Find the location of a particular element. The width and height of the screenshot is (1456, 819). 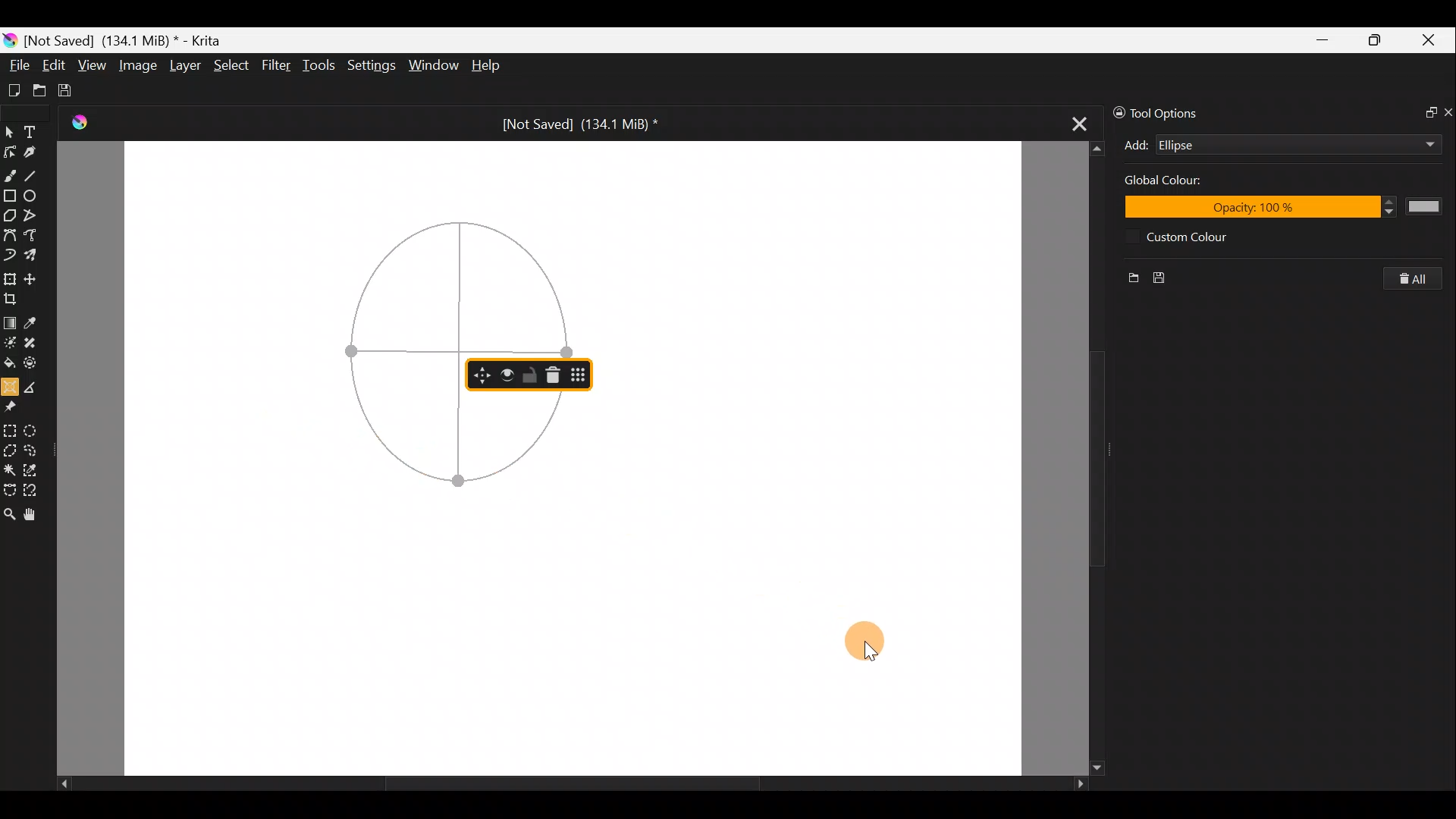

Polyline is located at coordinates (35, 216).